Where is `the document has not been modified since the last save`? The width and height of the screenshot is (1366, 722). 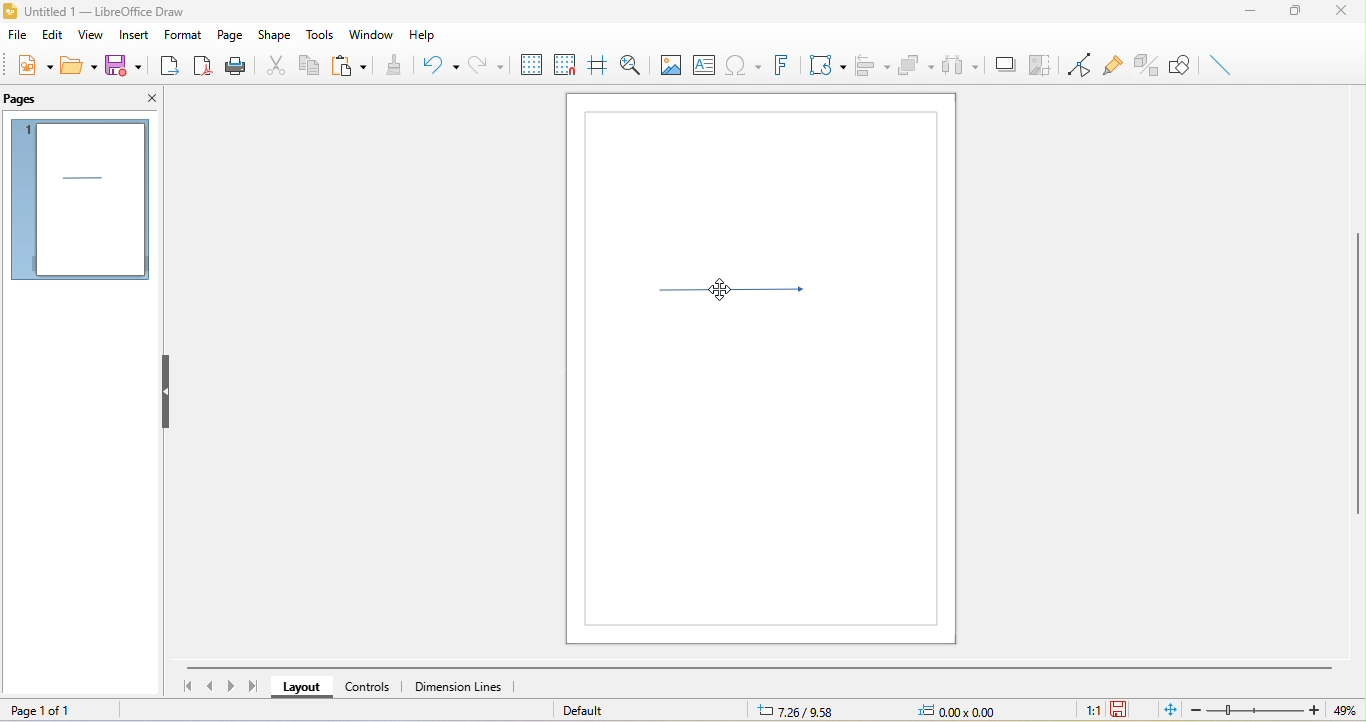
the document has not been modified since the last save is located at coordinates (1122, 710).